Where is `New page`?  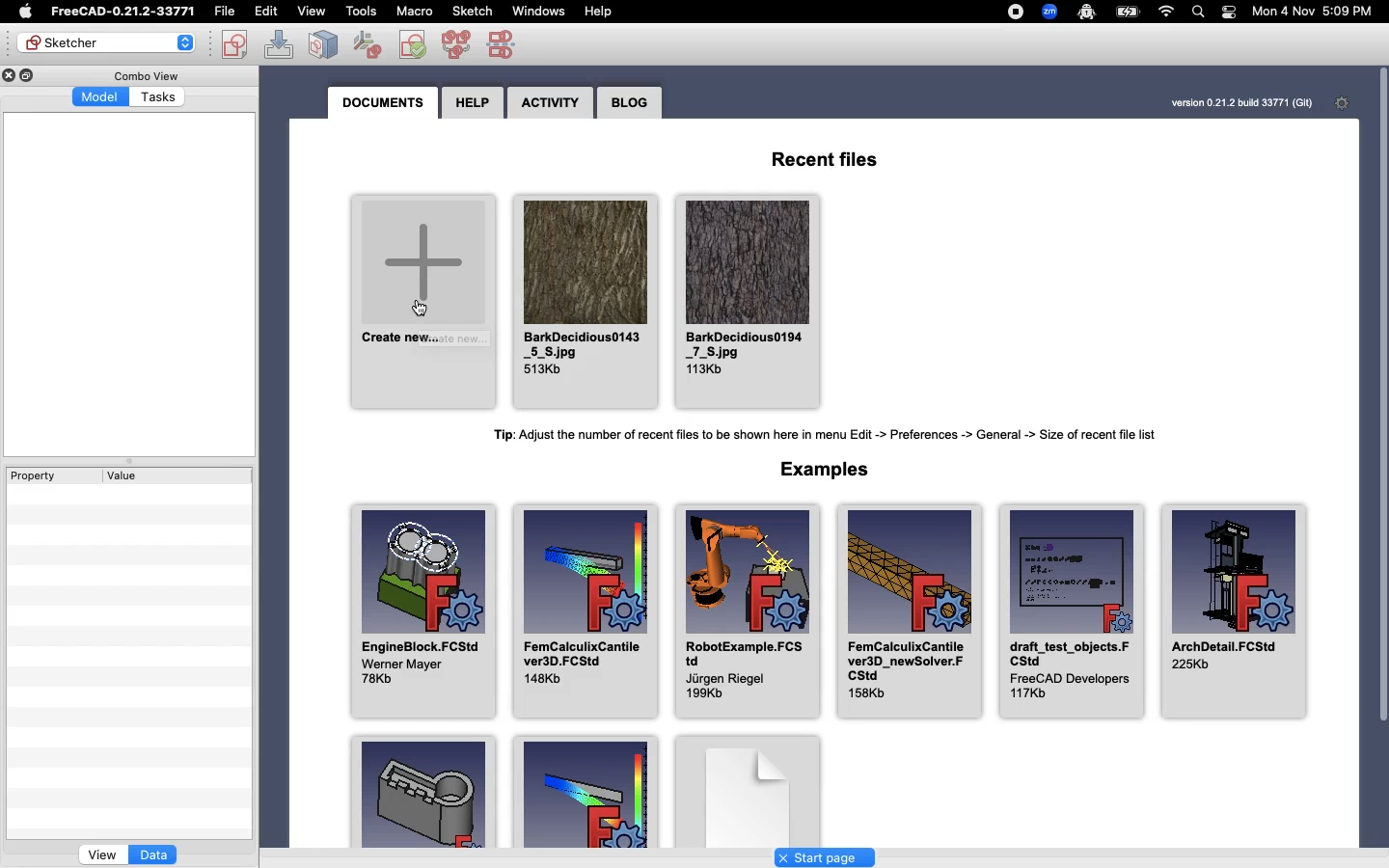 New page is located at coordinates (770, 790).